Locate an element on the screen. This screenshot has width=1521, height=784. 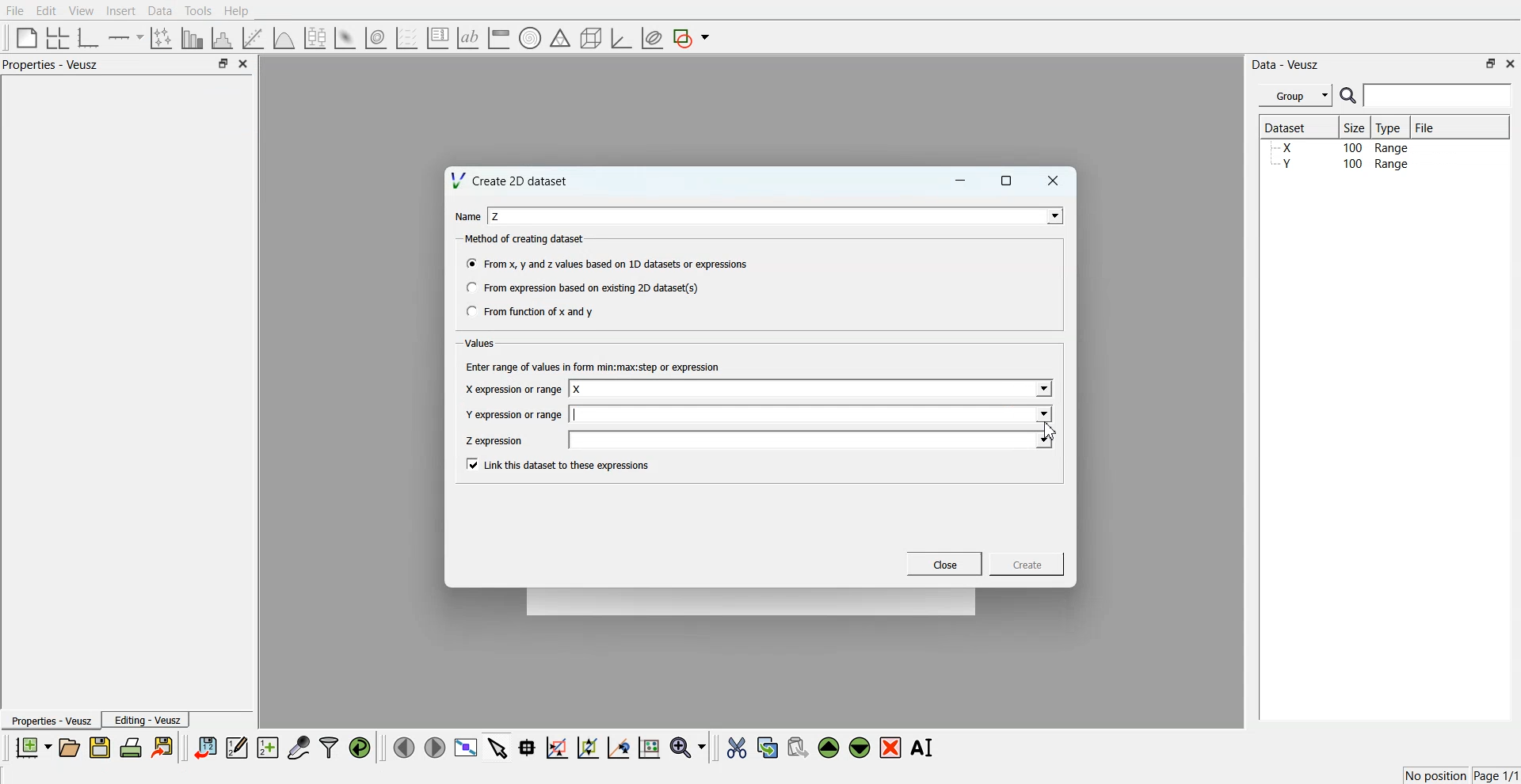
Move to the previous page is located at coordinates (404, 747).